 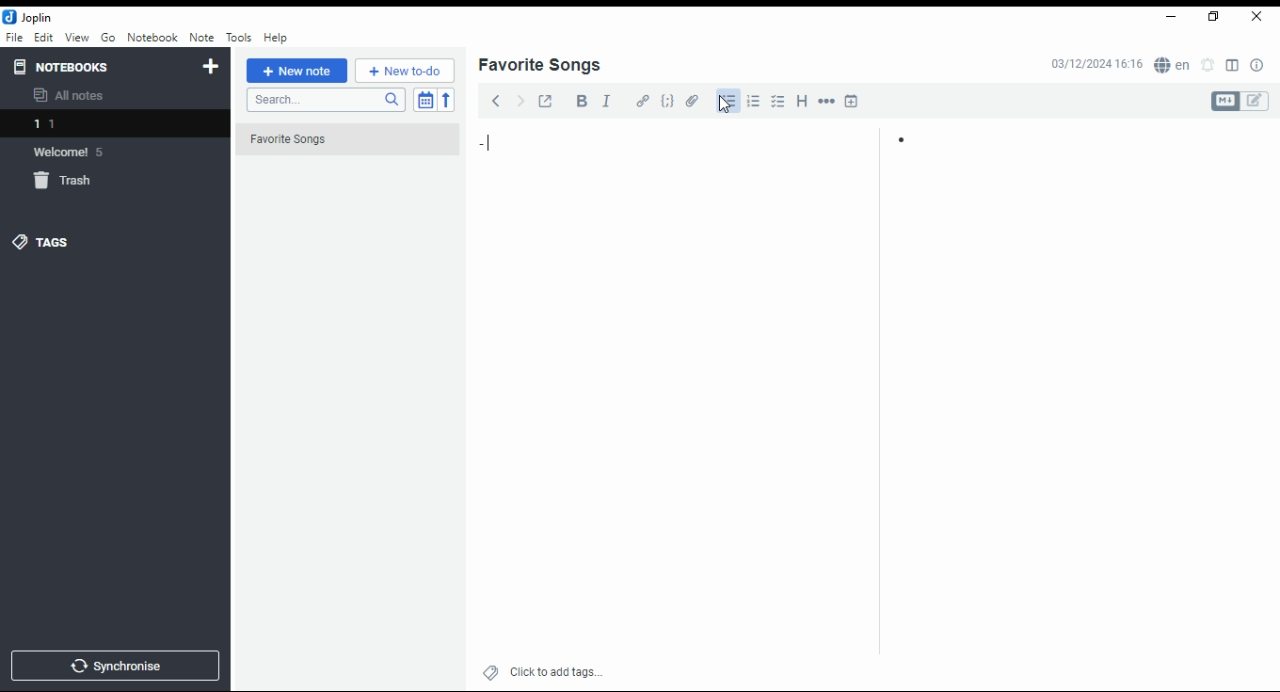 What do you see at coordinates (201, 37) in the screenshot?
I see `note` at bounding box center [201, 37].